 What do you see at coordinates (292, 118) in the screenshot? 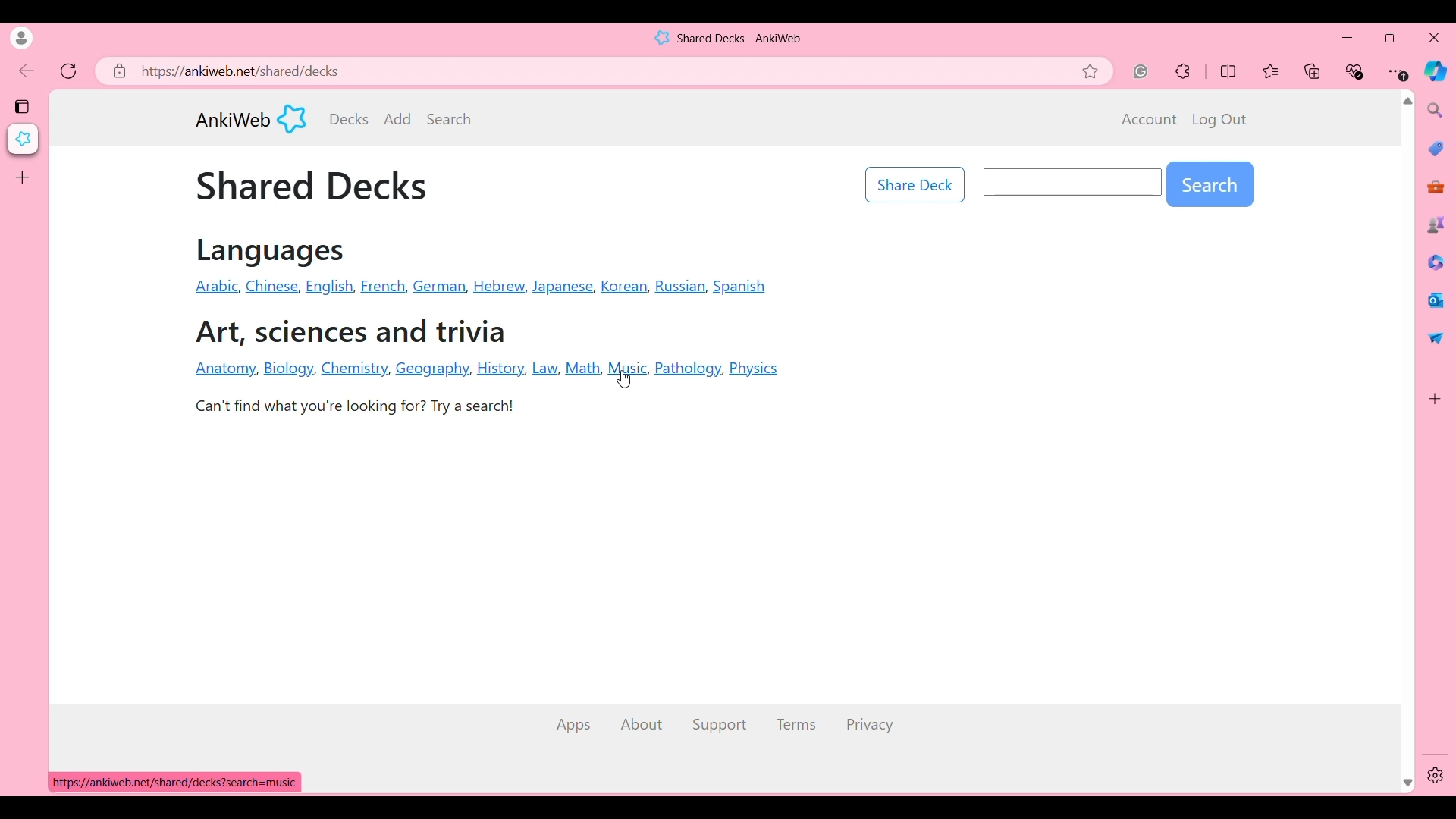
I see `Software logo` at bounding box center [292, 118].